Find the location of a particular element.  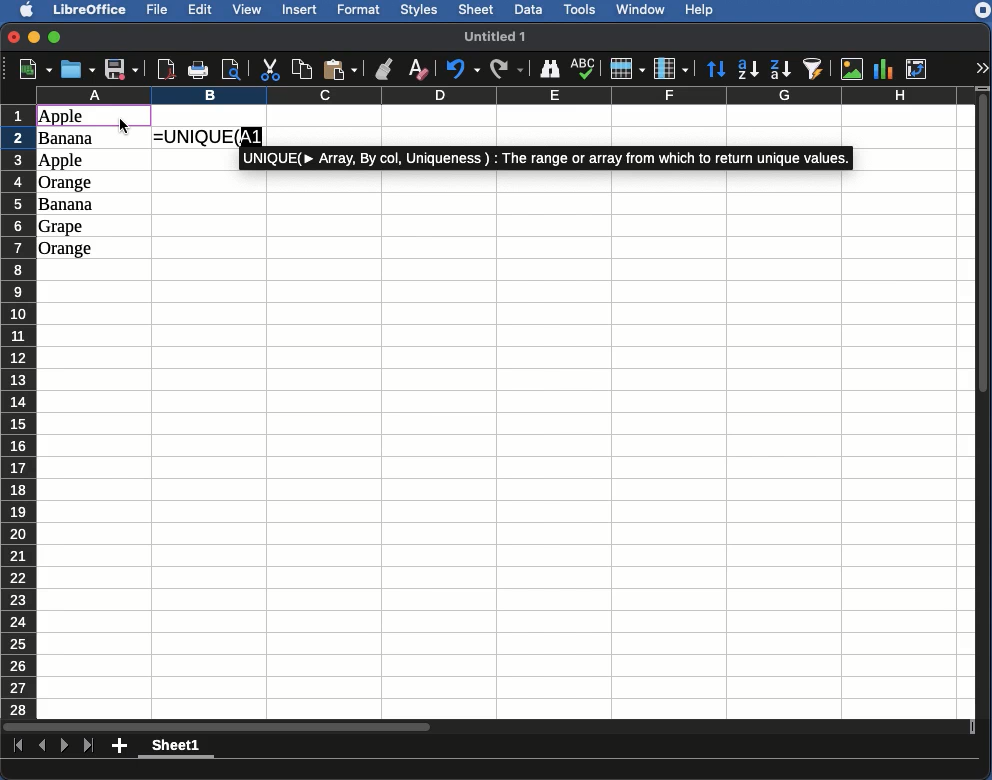

Columns is located at coordinates (502, 95).